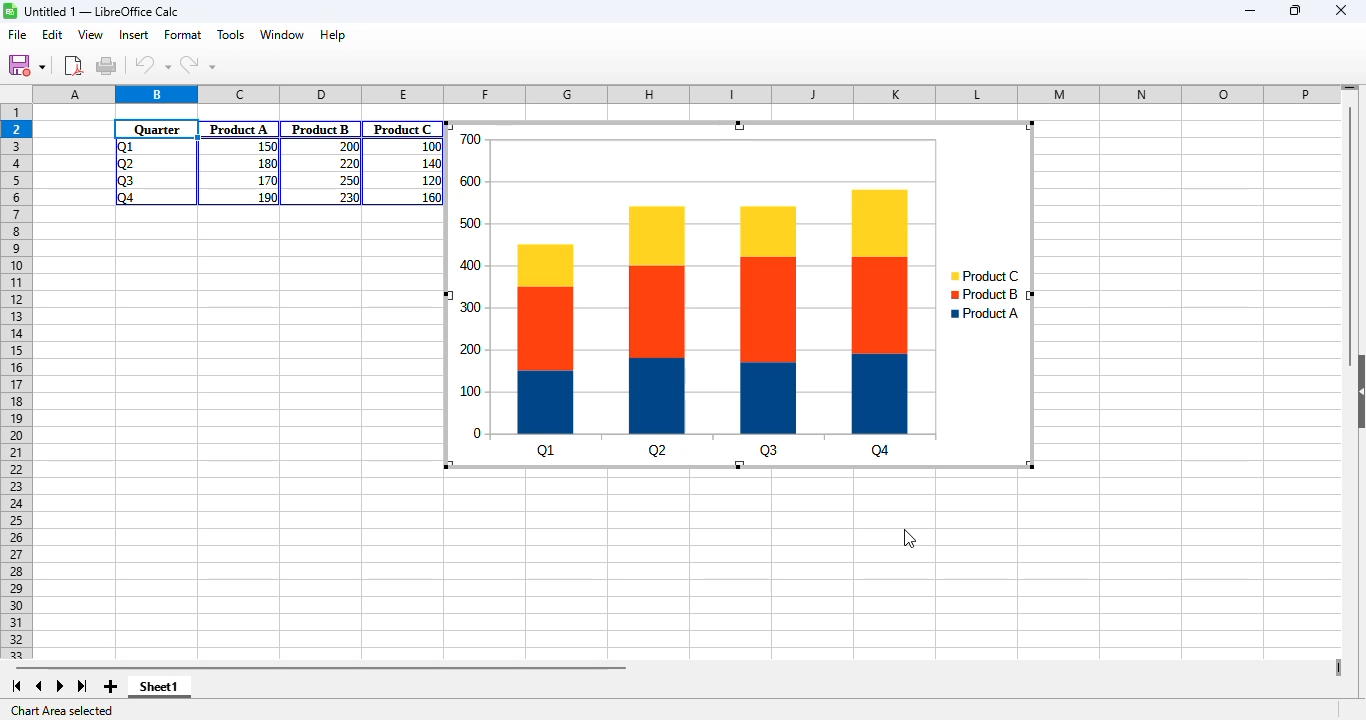 The height and width of the screenshot is (720, 1366). Describe the element at coordinates (430, 147) in the screenshot. I see `100` at that location.